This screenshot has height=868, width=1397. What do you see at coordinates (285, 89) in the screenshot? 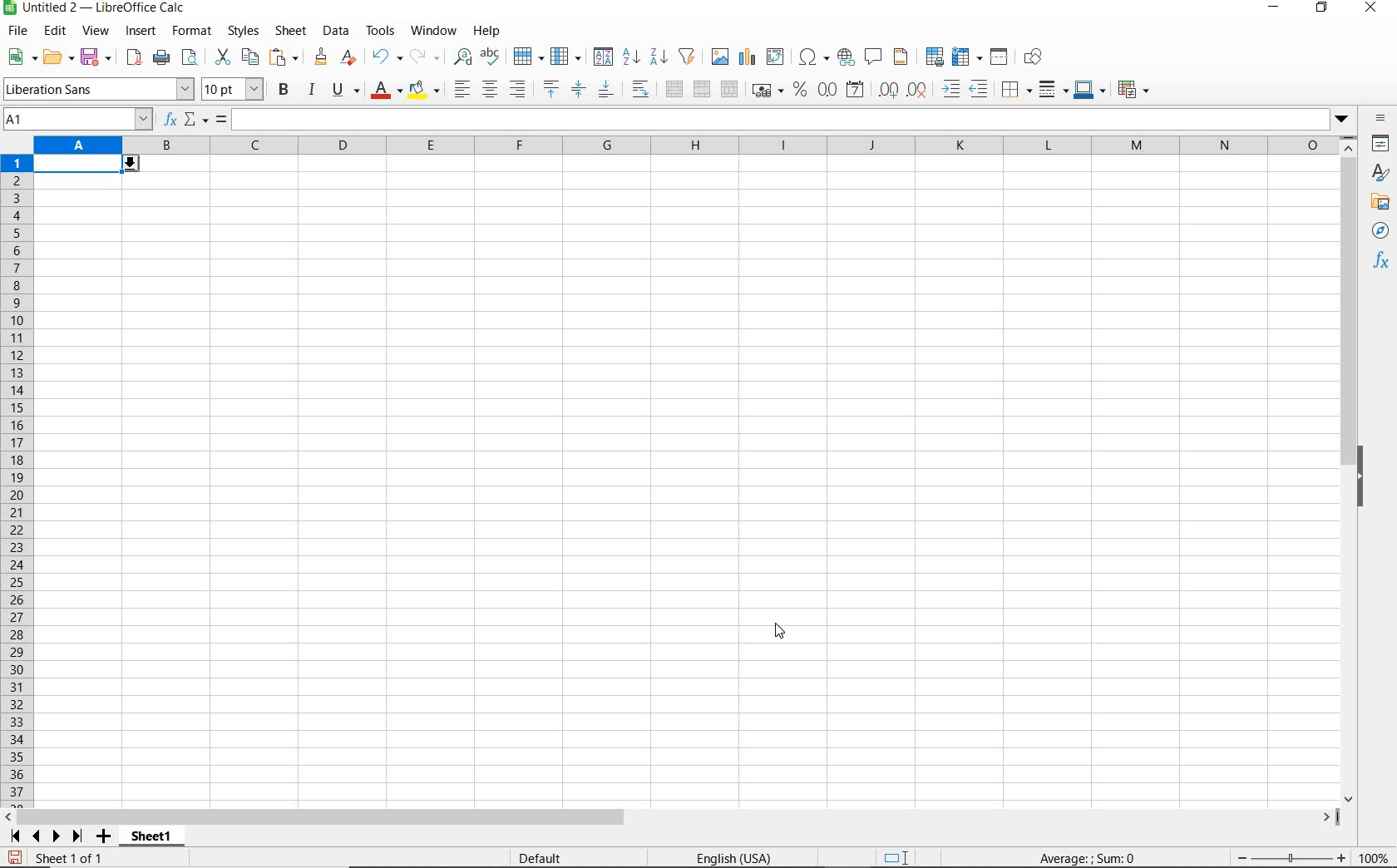
I see `bold` at bounding box center [285, 89].